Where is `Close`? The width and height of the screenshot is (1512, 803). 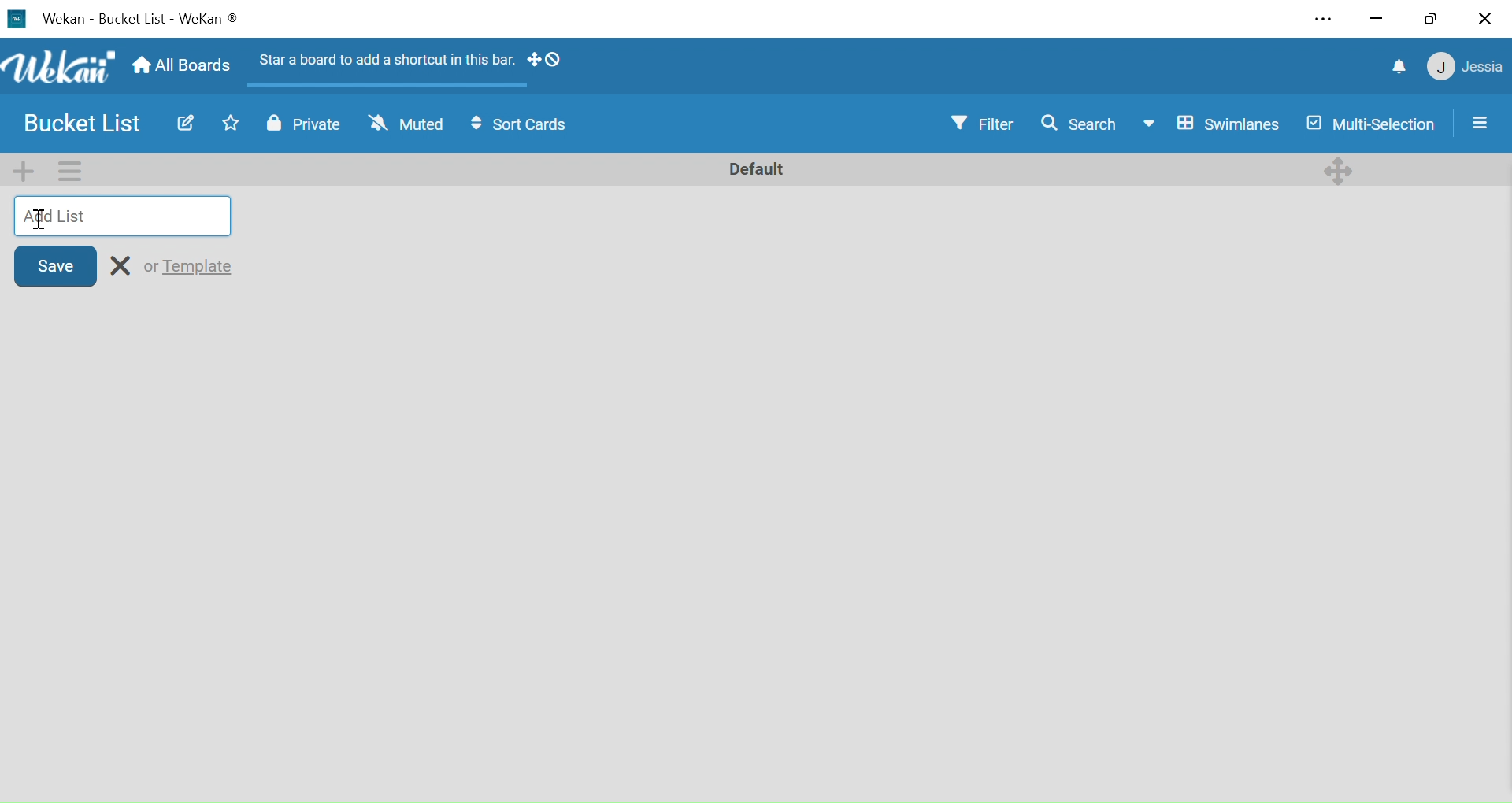 Close is located at coordinates (1484, 20).